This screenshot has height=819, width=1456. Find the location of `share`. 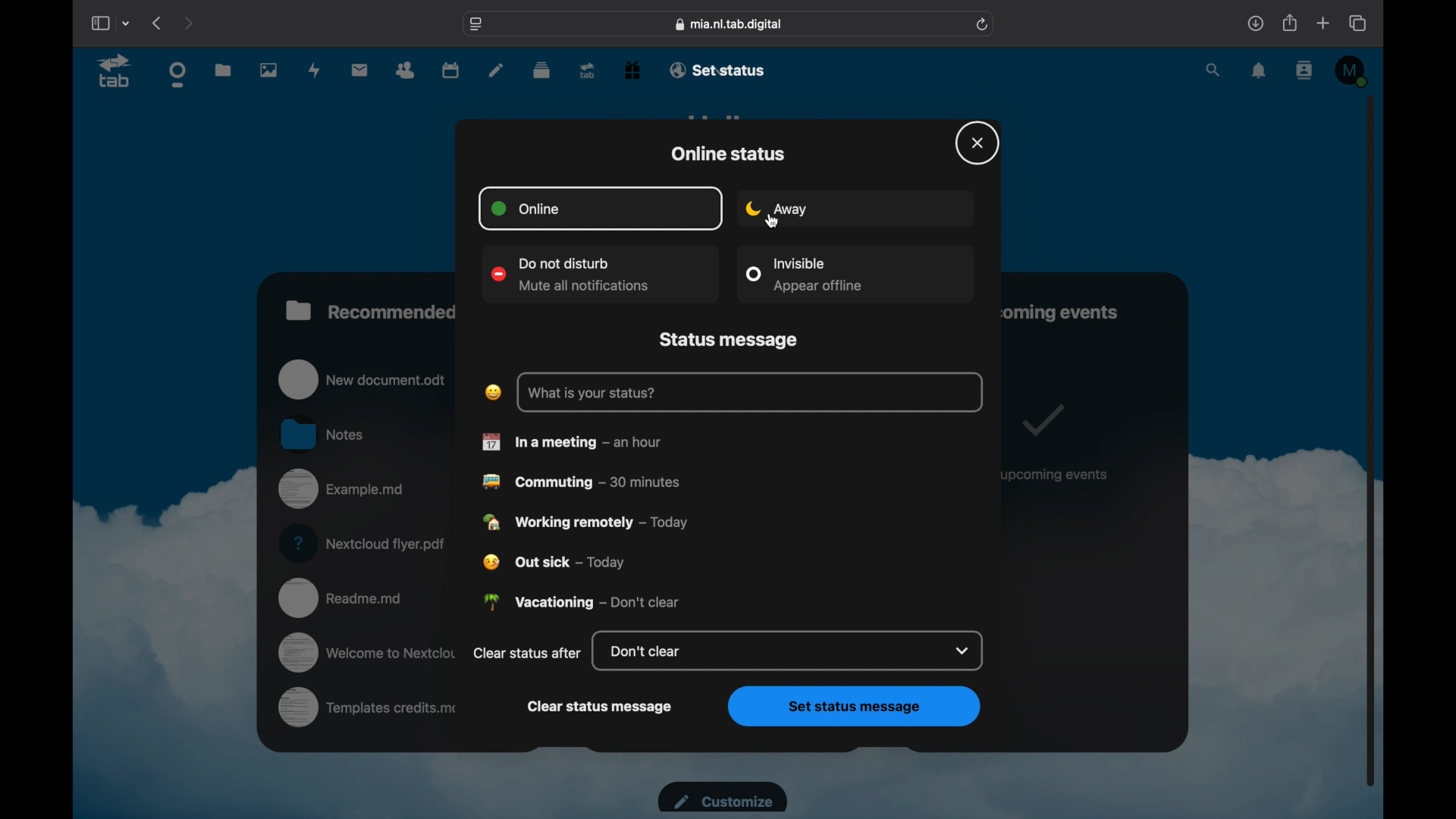

share is located at coordinates (1291, 22).